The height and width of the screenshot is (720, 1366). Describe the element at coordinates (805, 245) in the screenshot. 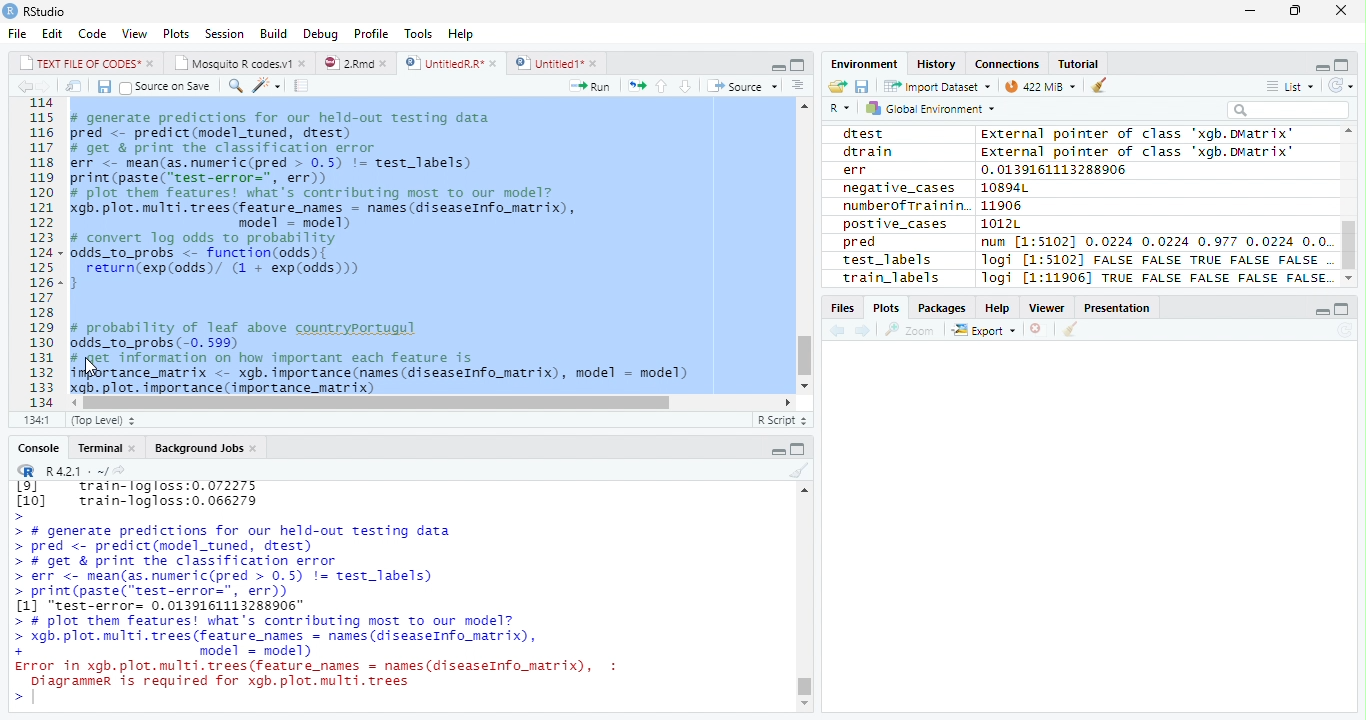

I see `Scroll` at that location.